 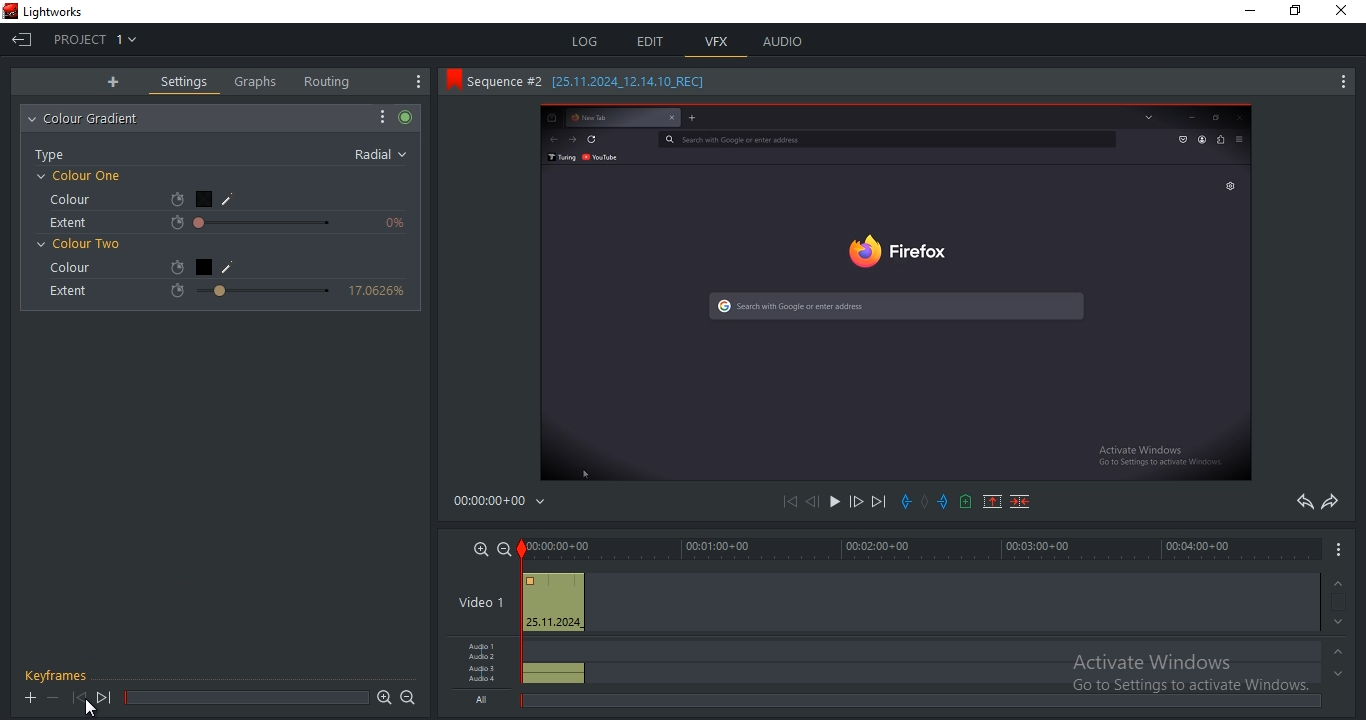 I want to click on add cue, so click(x=965, y=502).